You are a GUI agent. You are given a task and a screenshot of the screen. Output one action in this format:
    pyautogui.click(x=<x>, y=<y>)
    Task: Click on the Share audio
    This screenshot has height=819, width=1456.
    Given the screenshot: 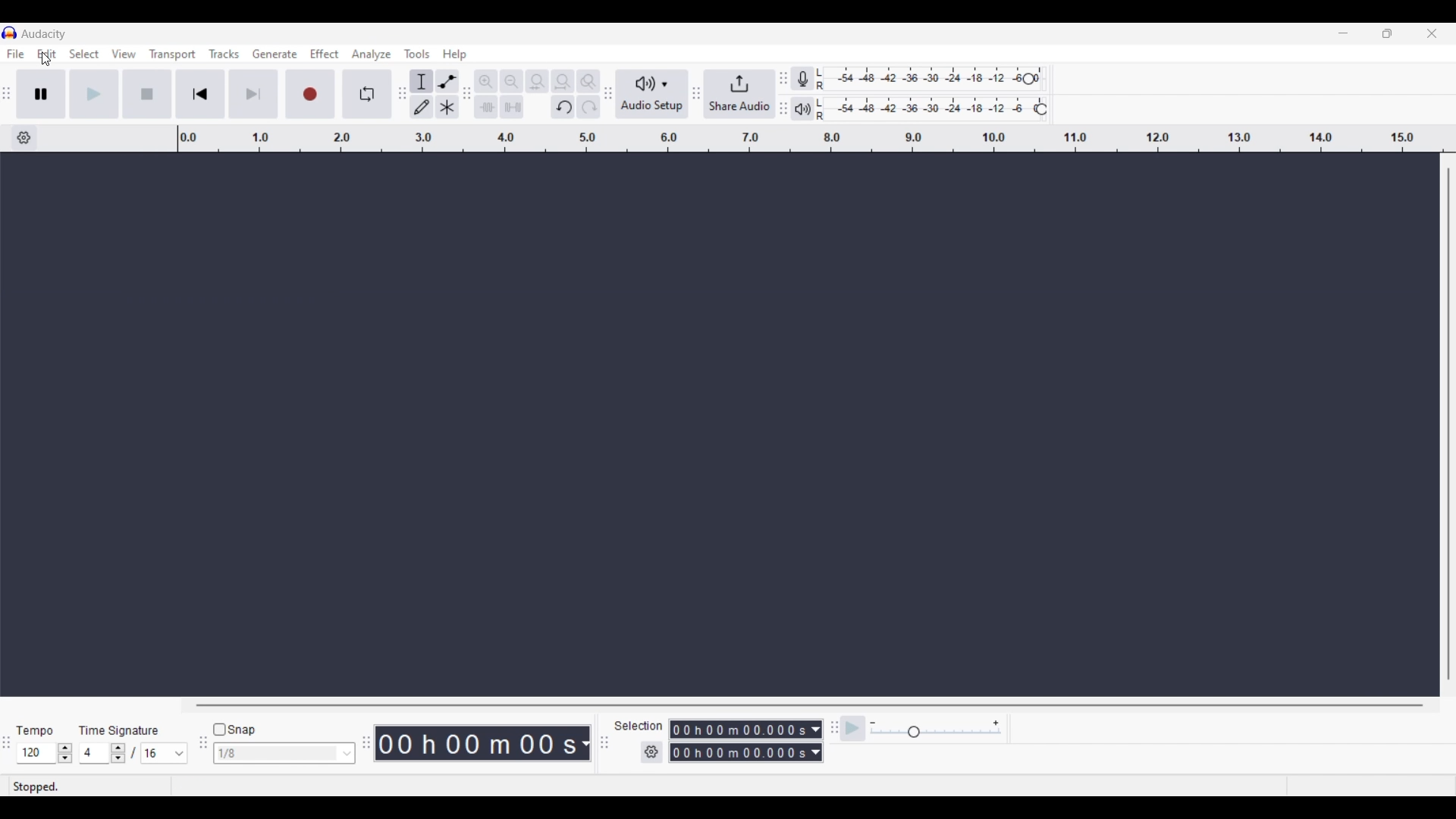 What is the action you would take?
    pyautogui.click(x=739, y=94)
    